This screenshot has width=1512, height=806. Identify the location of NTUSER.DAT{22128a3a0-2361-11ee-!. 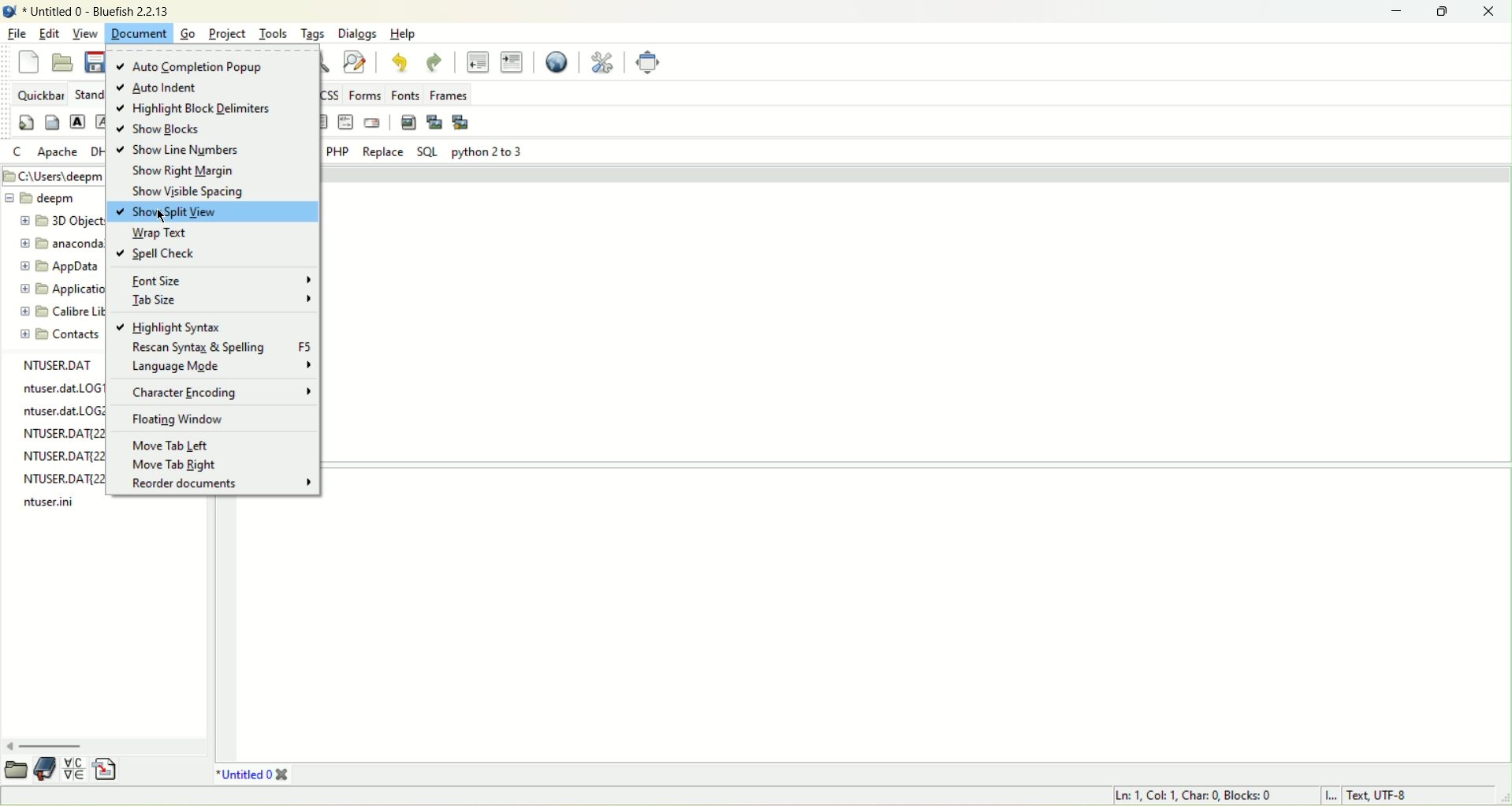
(61, 431).